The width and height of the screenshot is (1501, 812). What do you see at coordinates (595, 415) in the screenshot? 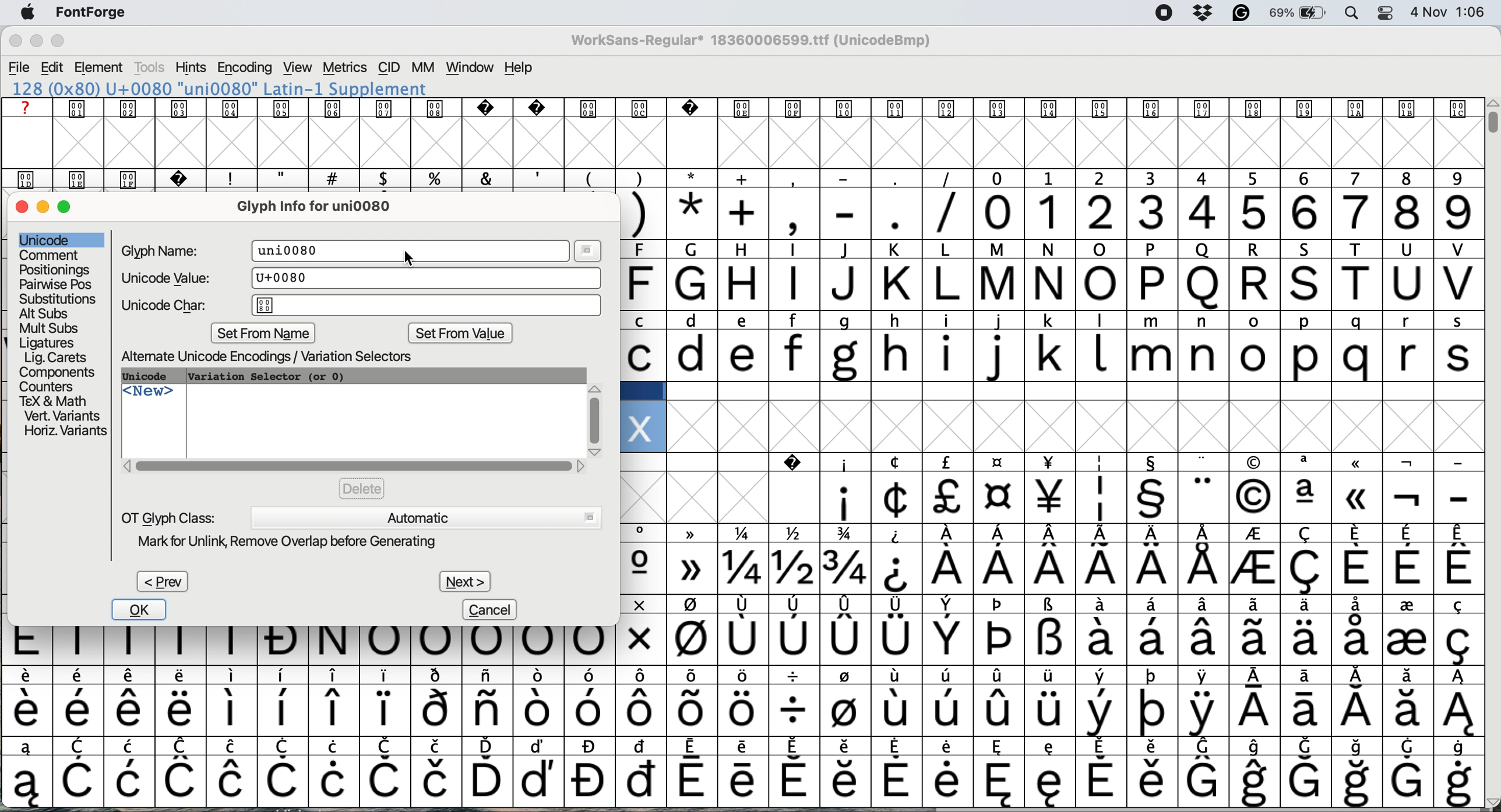
I see `vertical scroll bar` at bounding box center [595, 415].